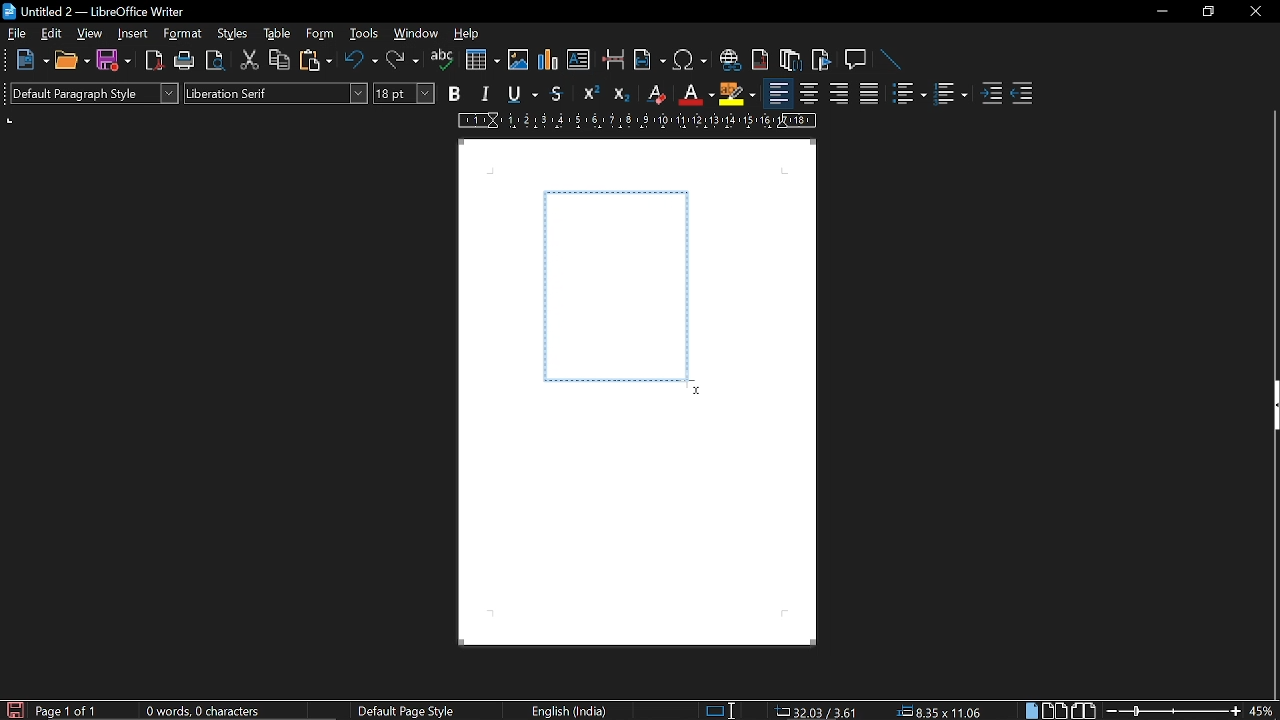  Describe the element at coordinates (1162, 12) in the screenshot. I see `minimize` at that location.